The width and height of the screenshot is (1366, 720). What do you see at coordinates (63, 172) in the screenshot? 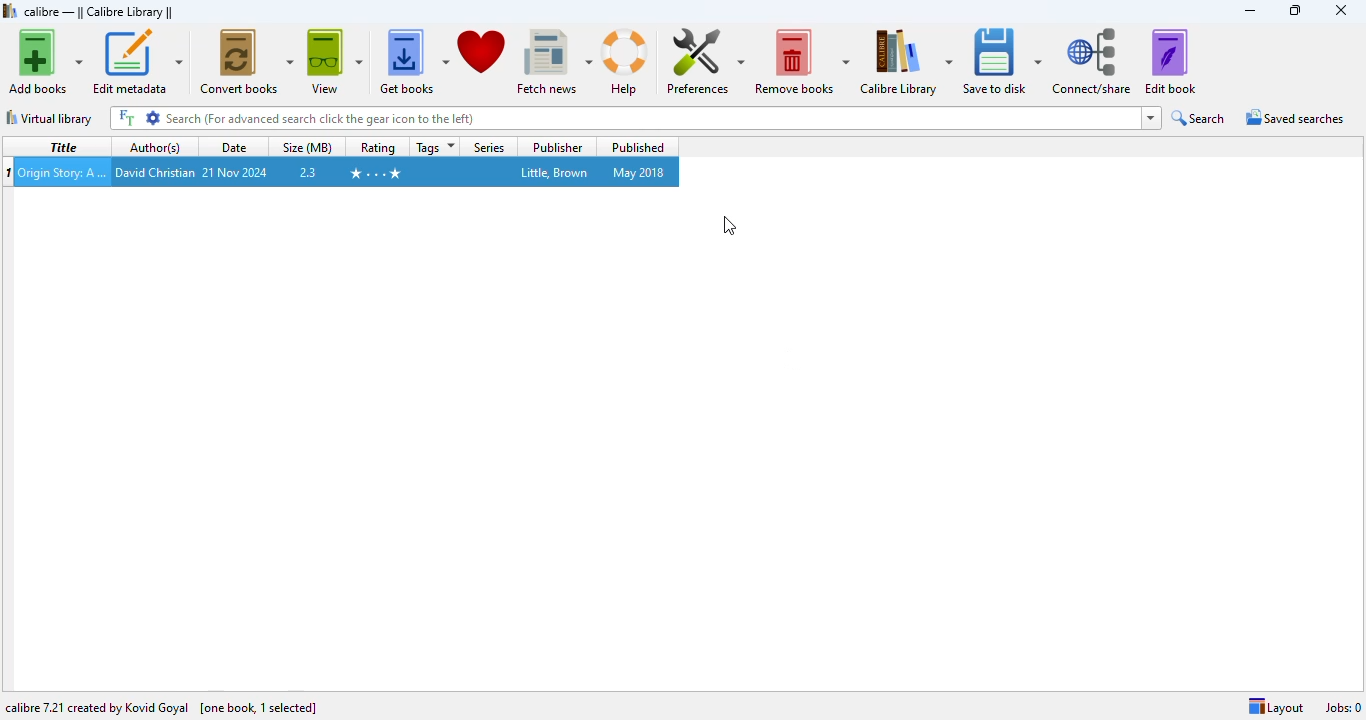
I see `Origin Story: A Big History of Everything` at bounding box center [63, 172].